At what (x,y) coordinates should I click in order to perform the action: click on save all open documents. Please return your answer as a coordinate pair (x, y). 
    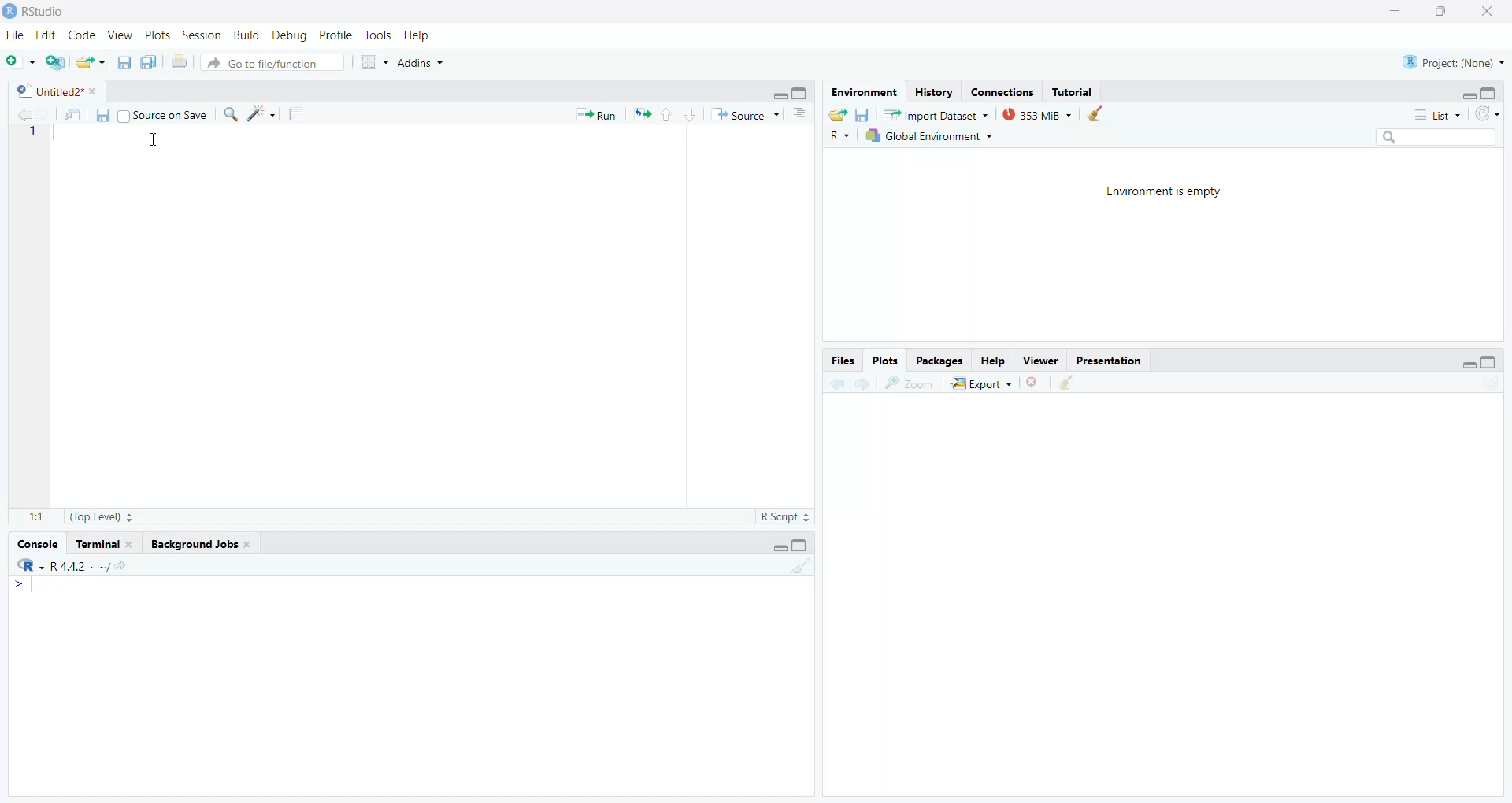
    Looking at the image, I should click on (148, 62).